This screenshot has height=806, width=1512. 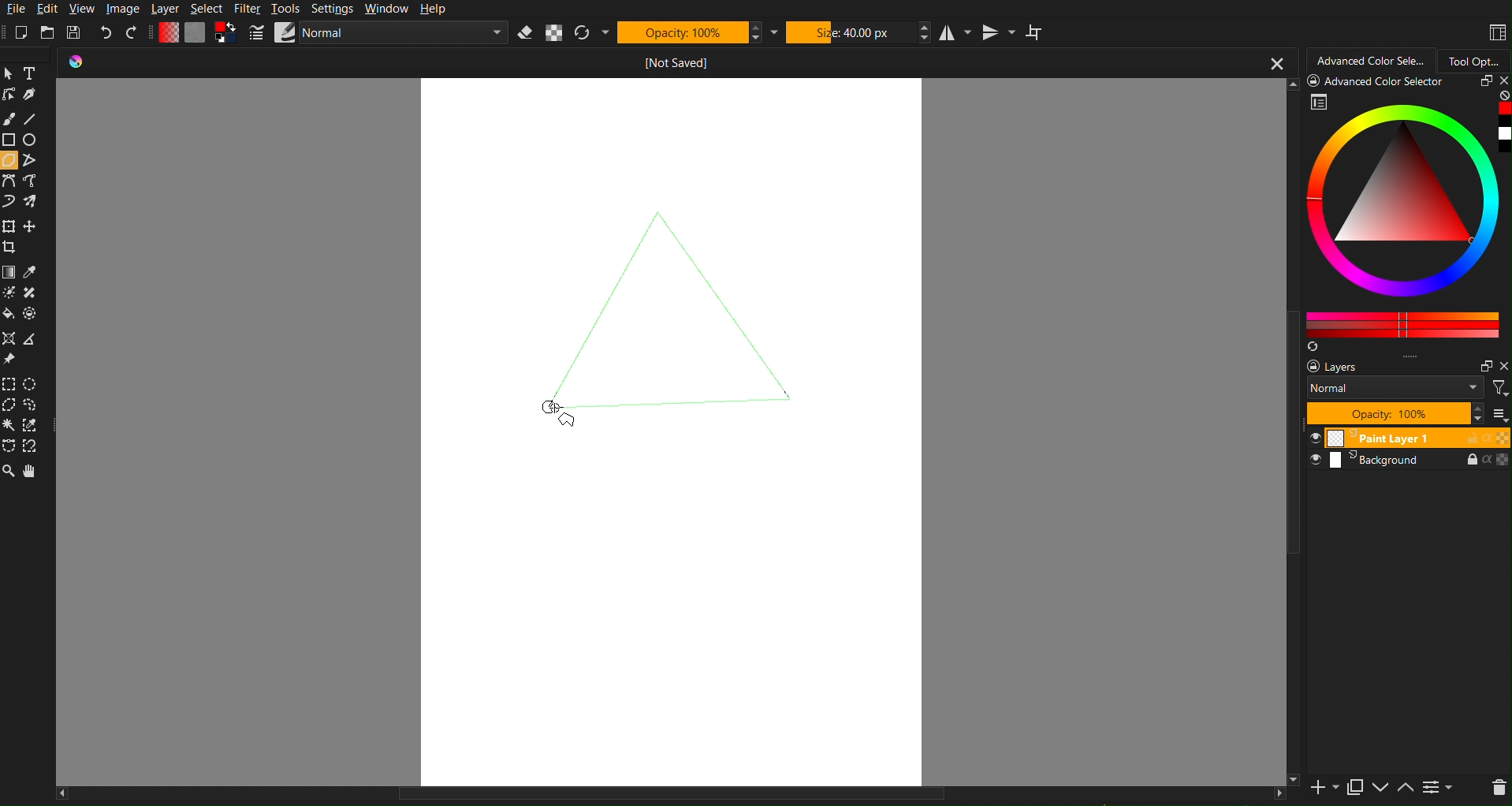 I want to click on Line 1, so click(x=580, y=291).